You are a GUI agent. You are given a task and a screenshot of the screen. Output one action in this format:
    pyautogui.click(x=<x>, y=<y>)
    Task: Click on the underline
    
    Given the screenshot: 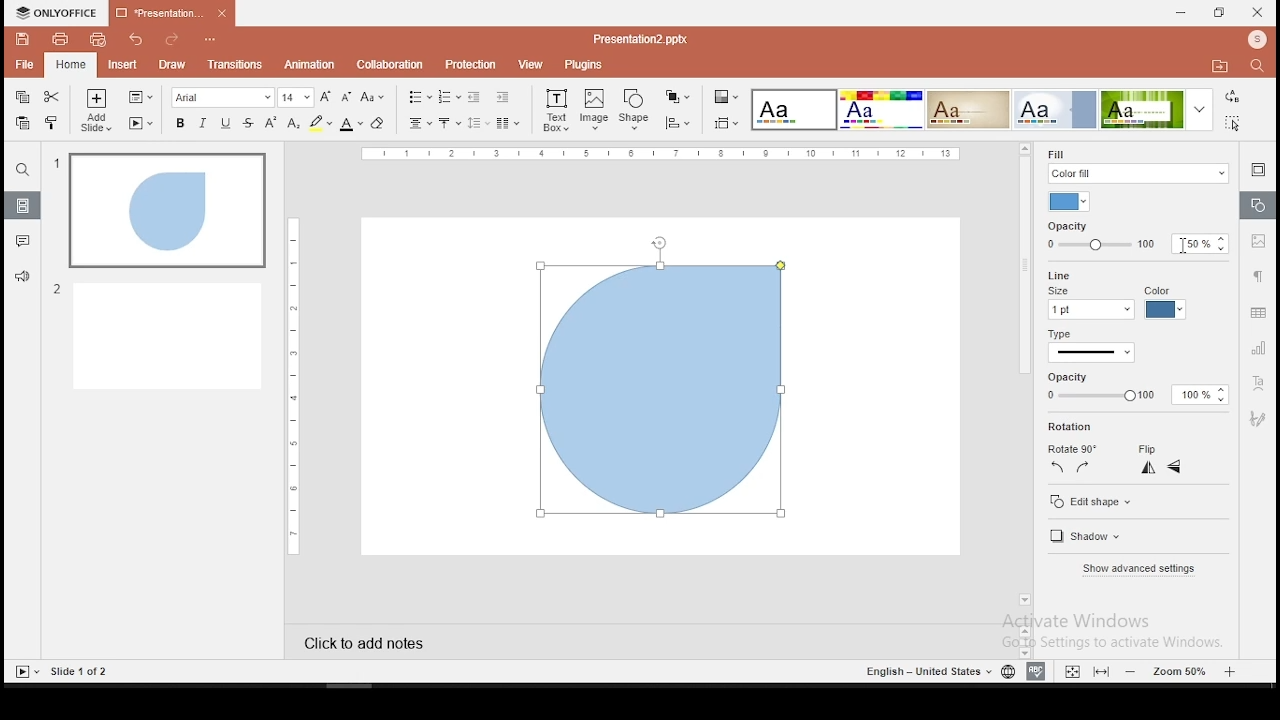 What is the action you would take?
    pyautogui.click(x=226, y=123)
    